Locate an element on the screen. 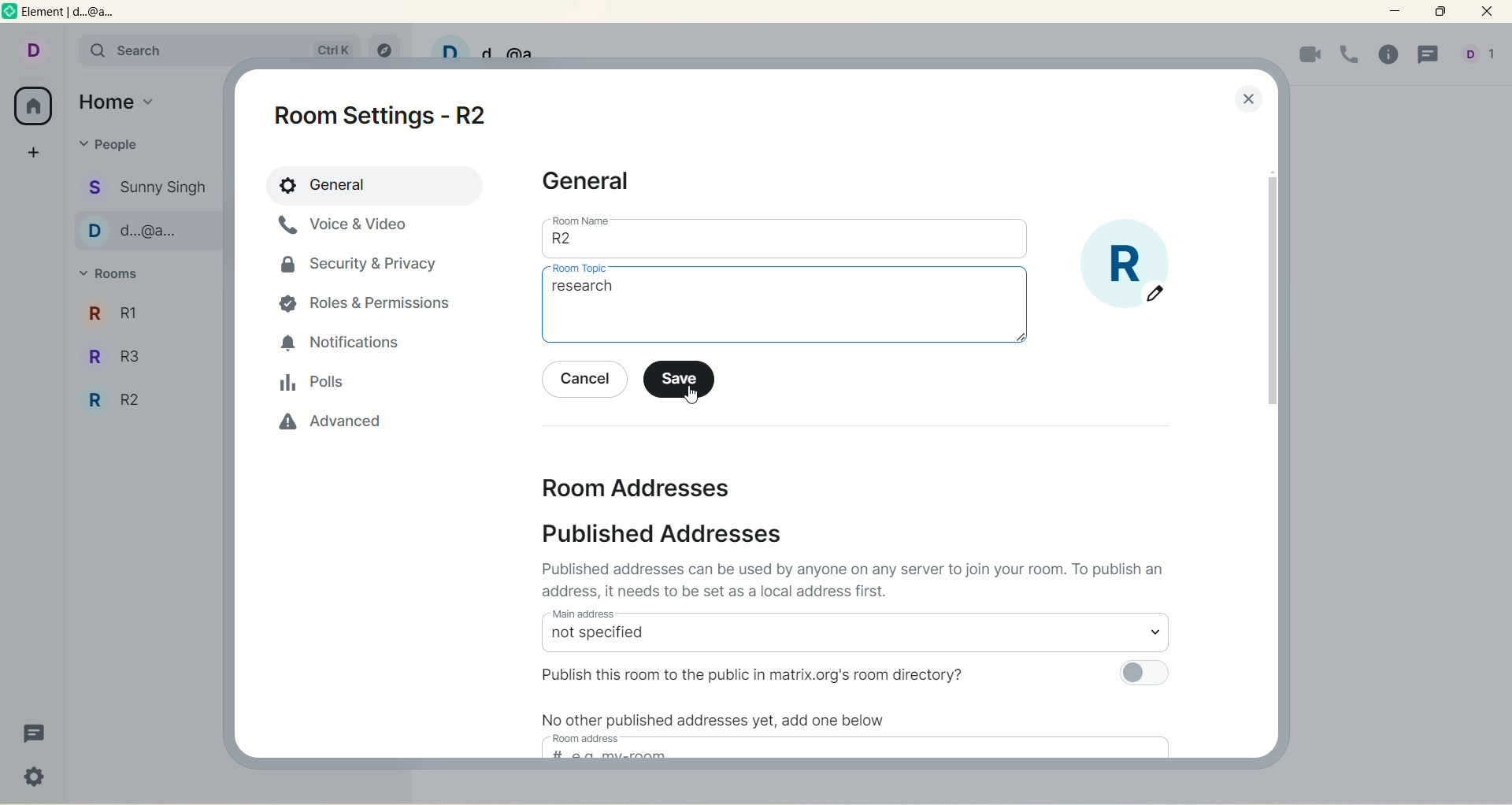 The width and height of the screenshot is (1512, 805). security and privacy is located at coordinates (361, 271).